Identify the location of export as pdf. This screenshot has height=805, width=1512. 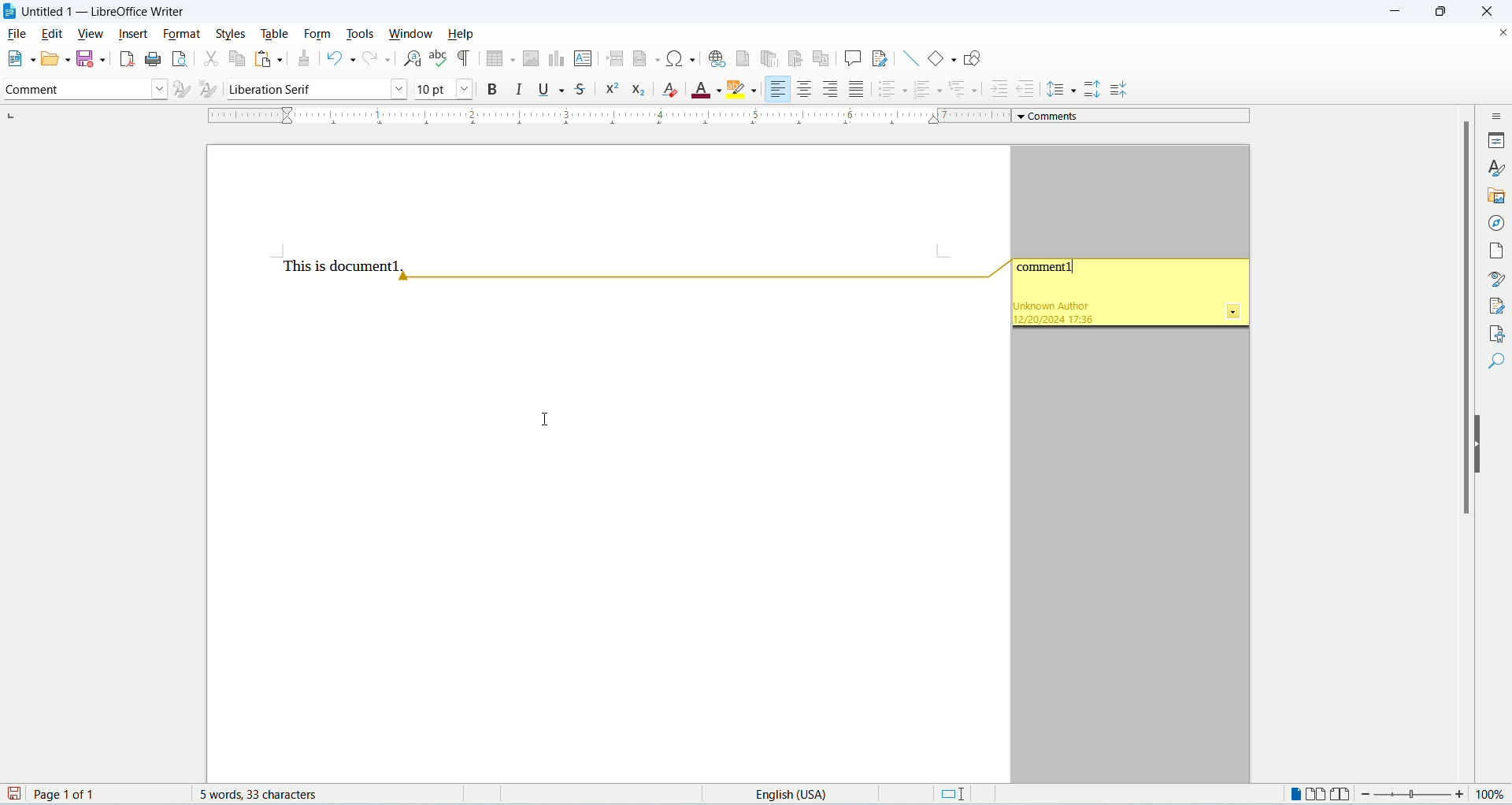
(125, 57).